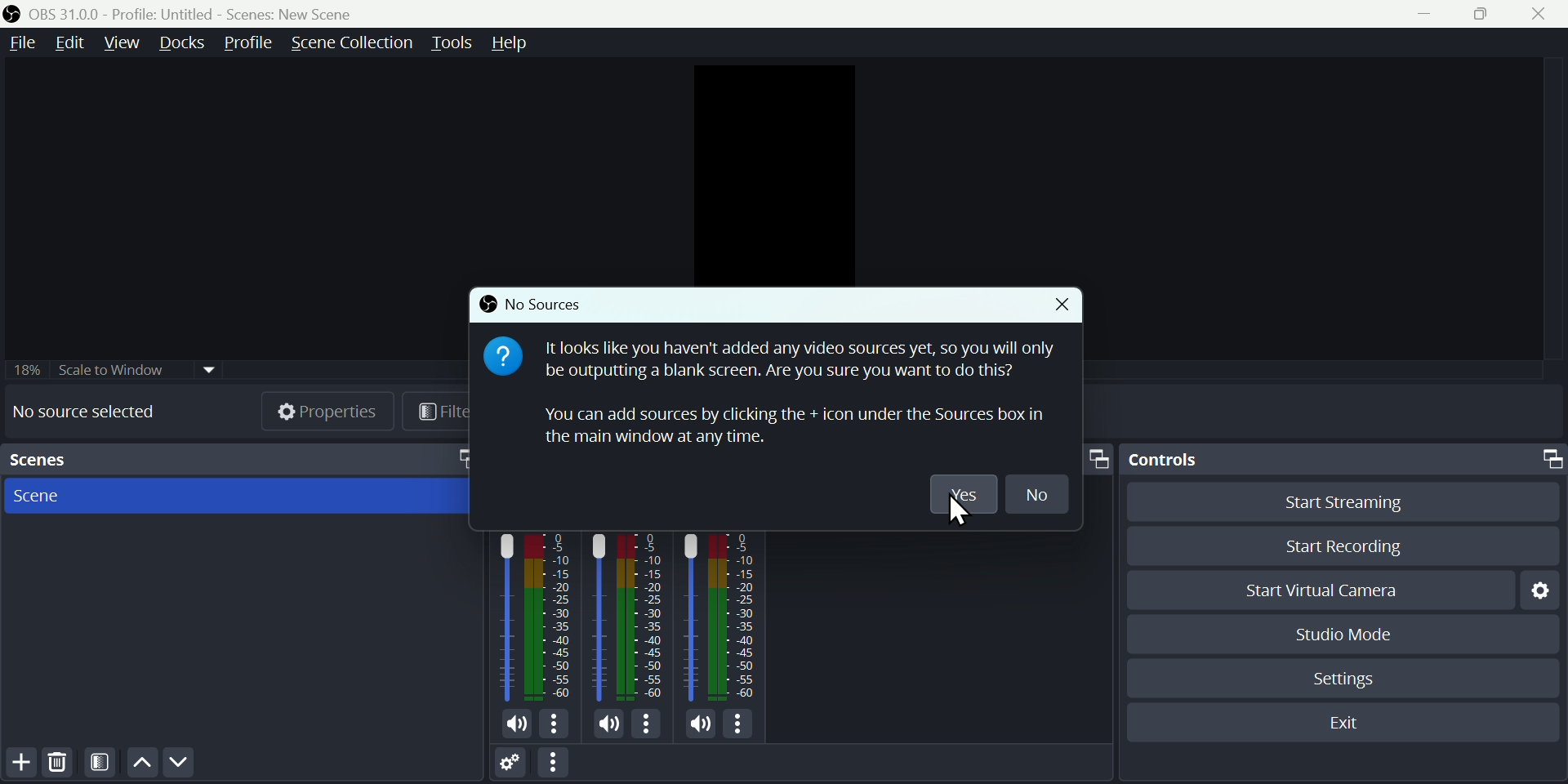 The width and height of the screenshot is (1568, 784). Describe the element at coordinates (253, 42) in the screenshot. I see `Profile` at that location.